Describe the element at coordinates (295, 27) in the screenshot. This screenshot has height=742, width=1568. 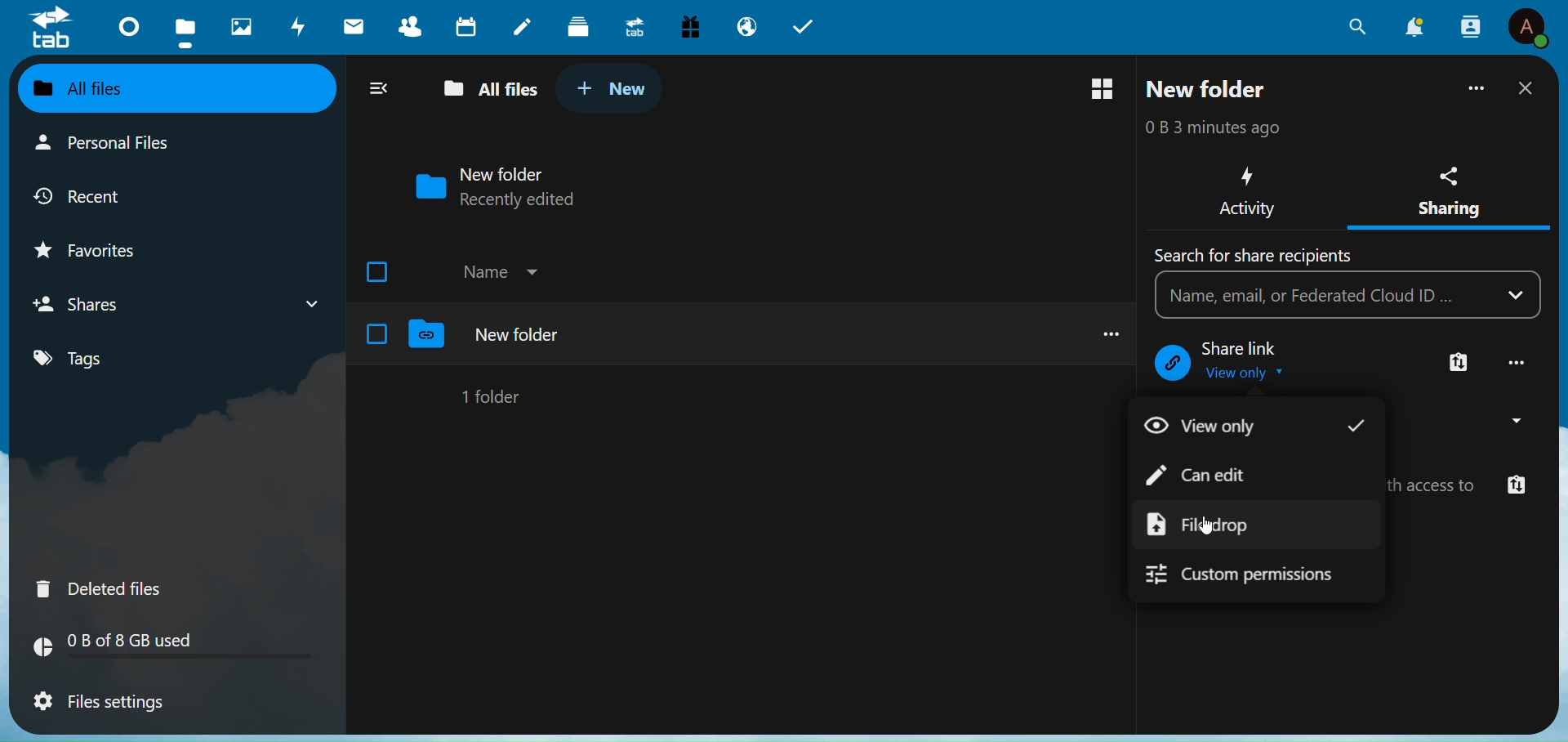
I see `Activity` at that location.